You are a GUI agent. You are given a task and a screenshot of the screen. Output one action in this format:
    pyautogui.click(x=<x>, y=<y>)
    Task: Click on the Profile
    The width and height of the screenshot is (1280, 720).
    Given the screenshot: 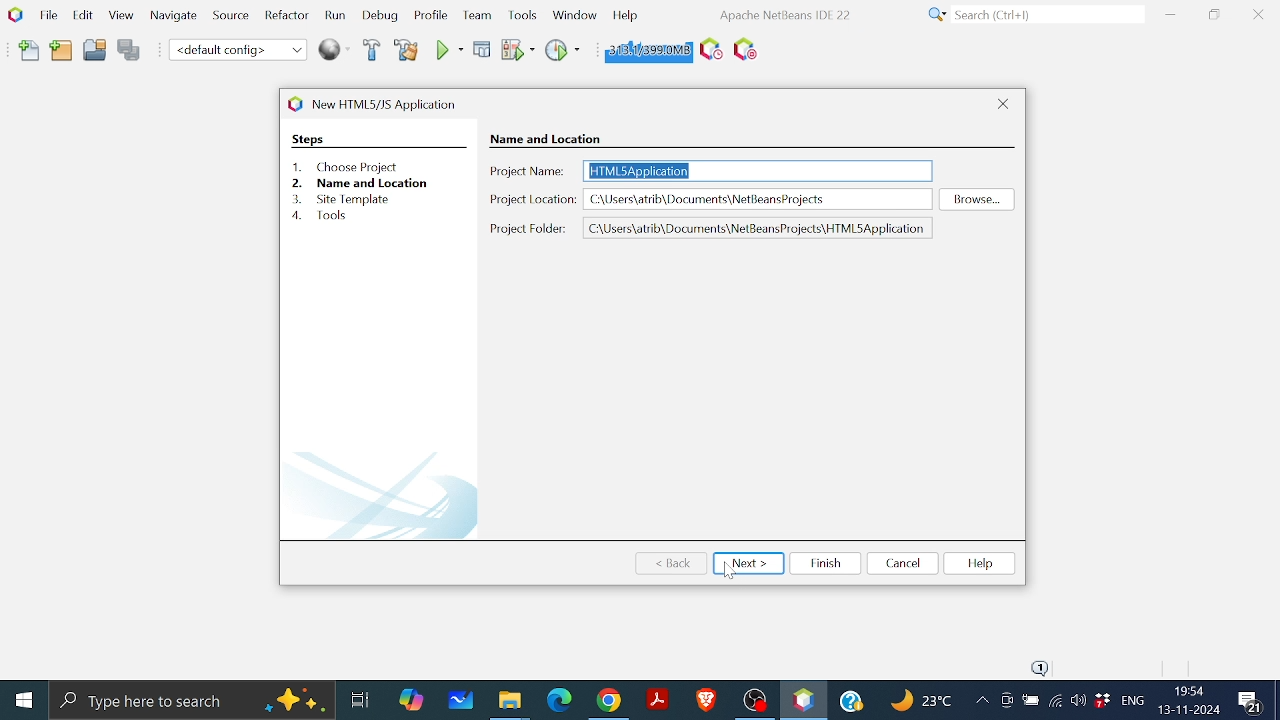 What is the action you would take?
    pyautogui.click(x=429, y=17)
    